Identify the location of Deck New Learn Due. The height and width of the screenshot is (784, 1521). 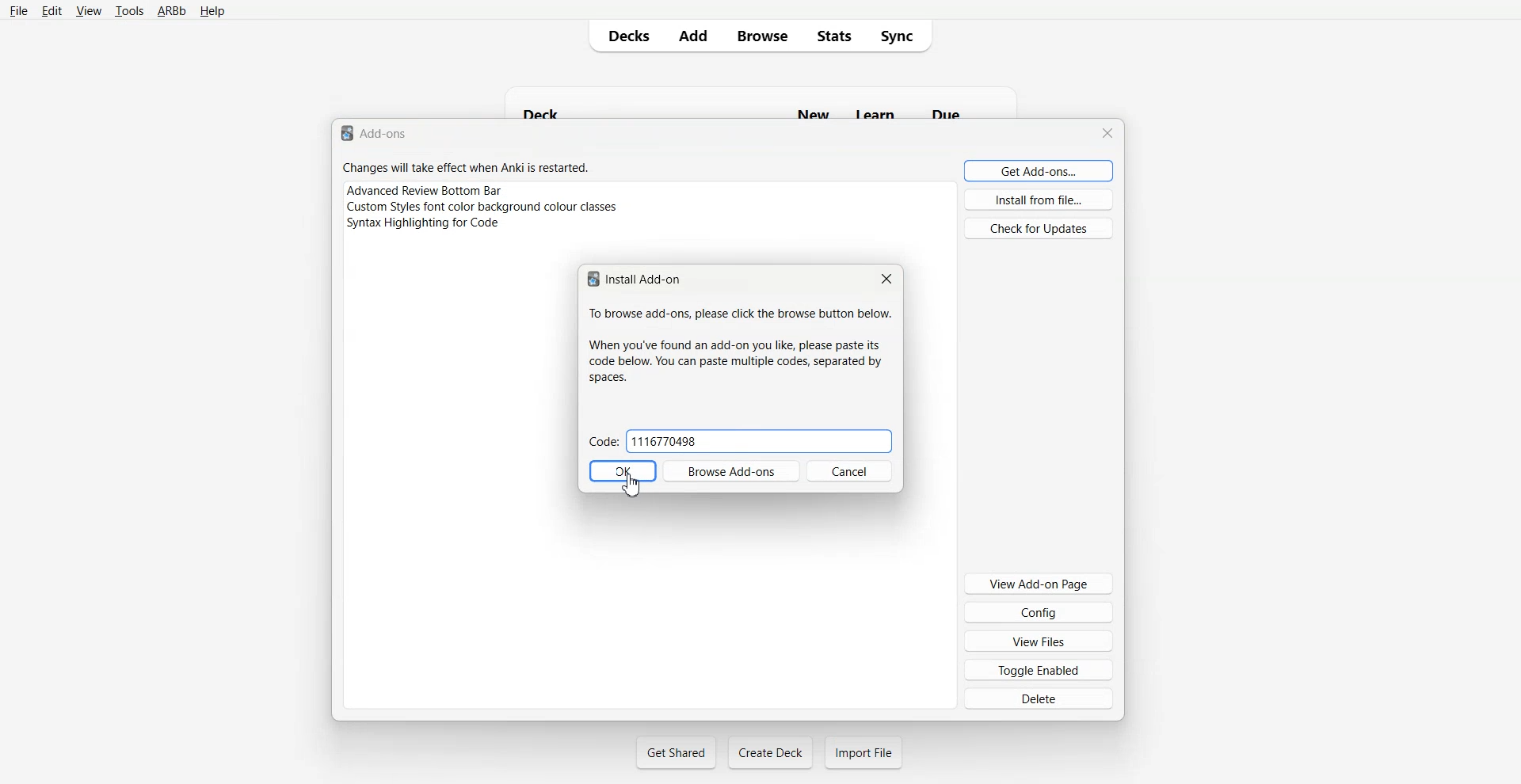
(754, 114).